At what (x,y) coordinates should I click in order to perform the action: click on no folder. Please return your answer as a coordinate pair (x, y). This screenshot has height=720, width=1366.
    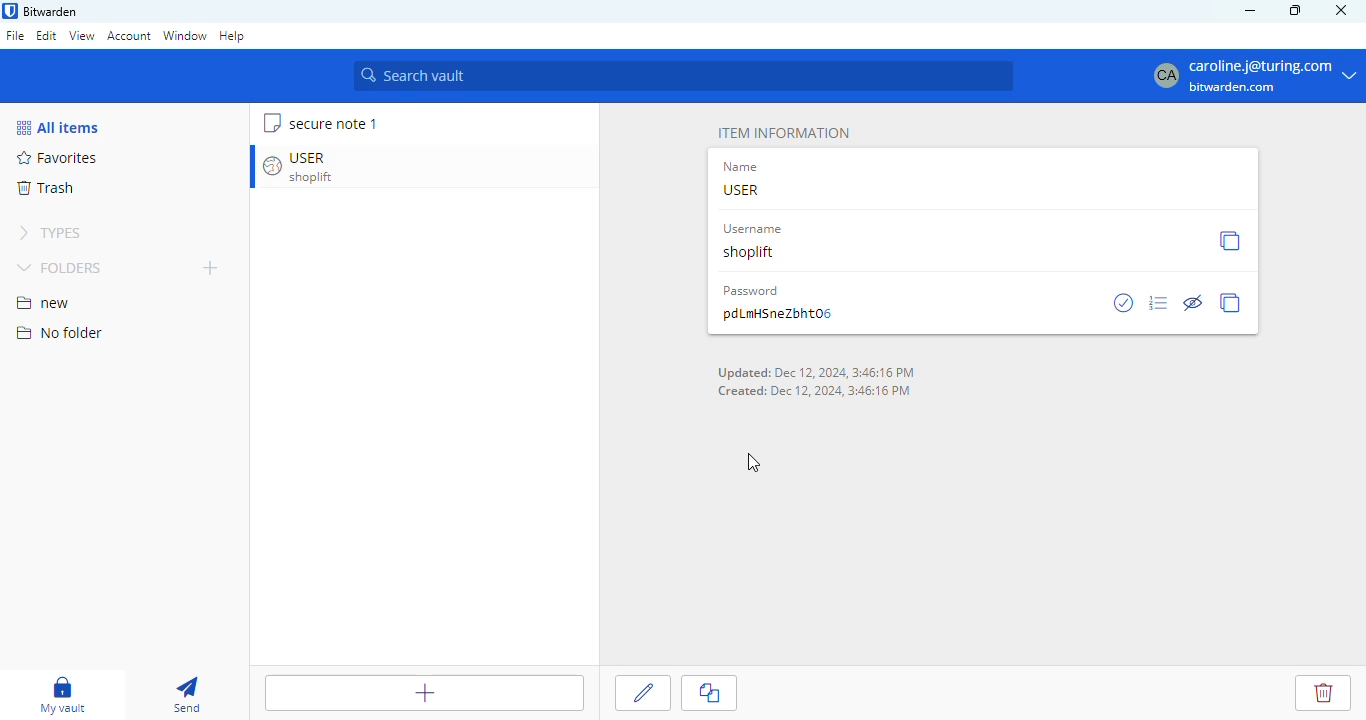
    Looking at the image, I should click on (60, 334).